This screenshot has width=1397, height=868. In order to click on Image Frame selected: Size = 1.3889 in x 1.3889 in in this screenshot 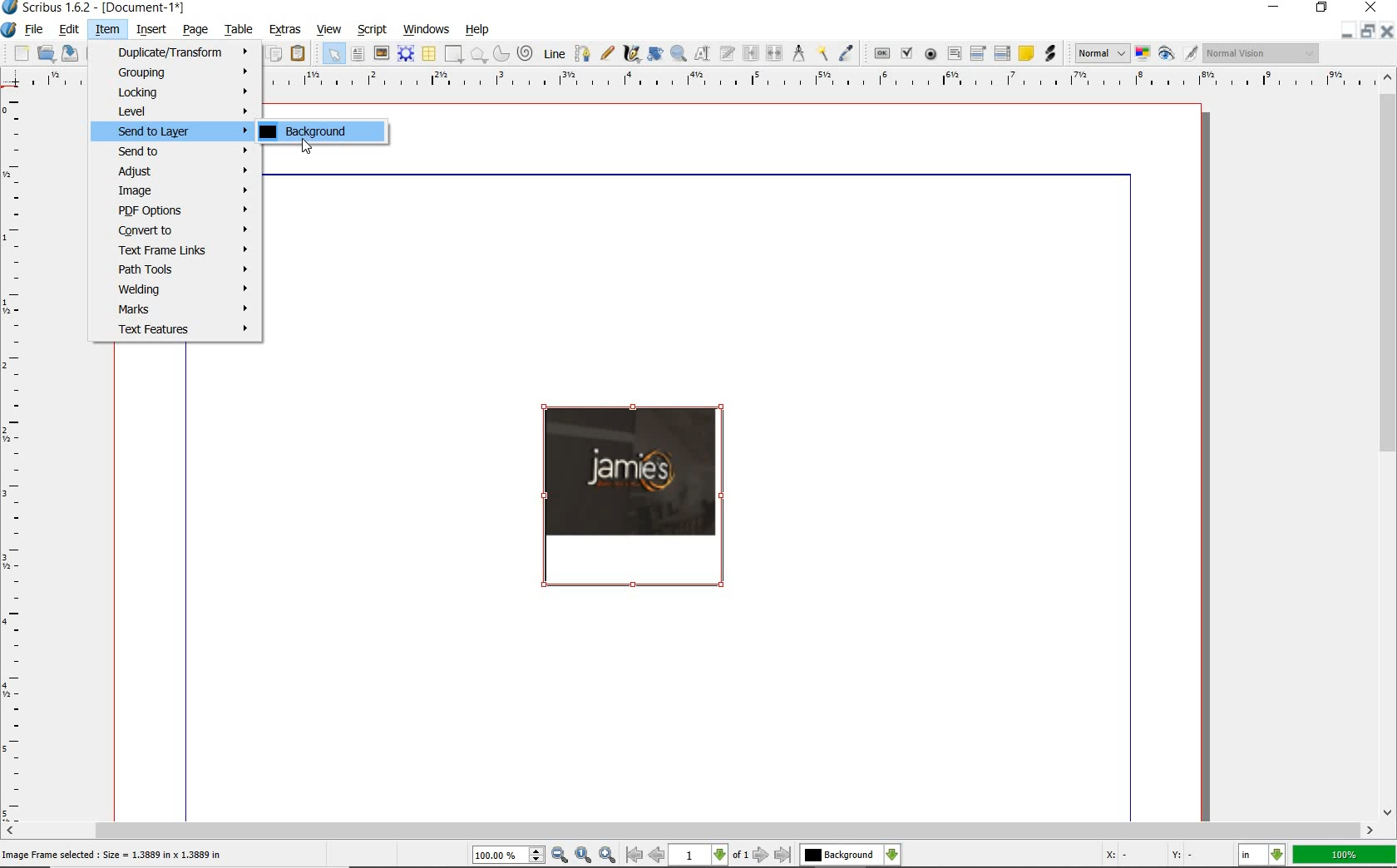, I will do `click(113, 854)`.